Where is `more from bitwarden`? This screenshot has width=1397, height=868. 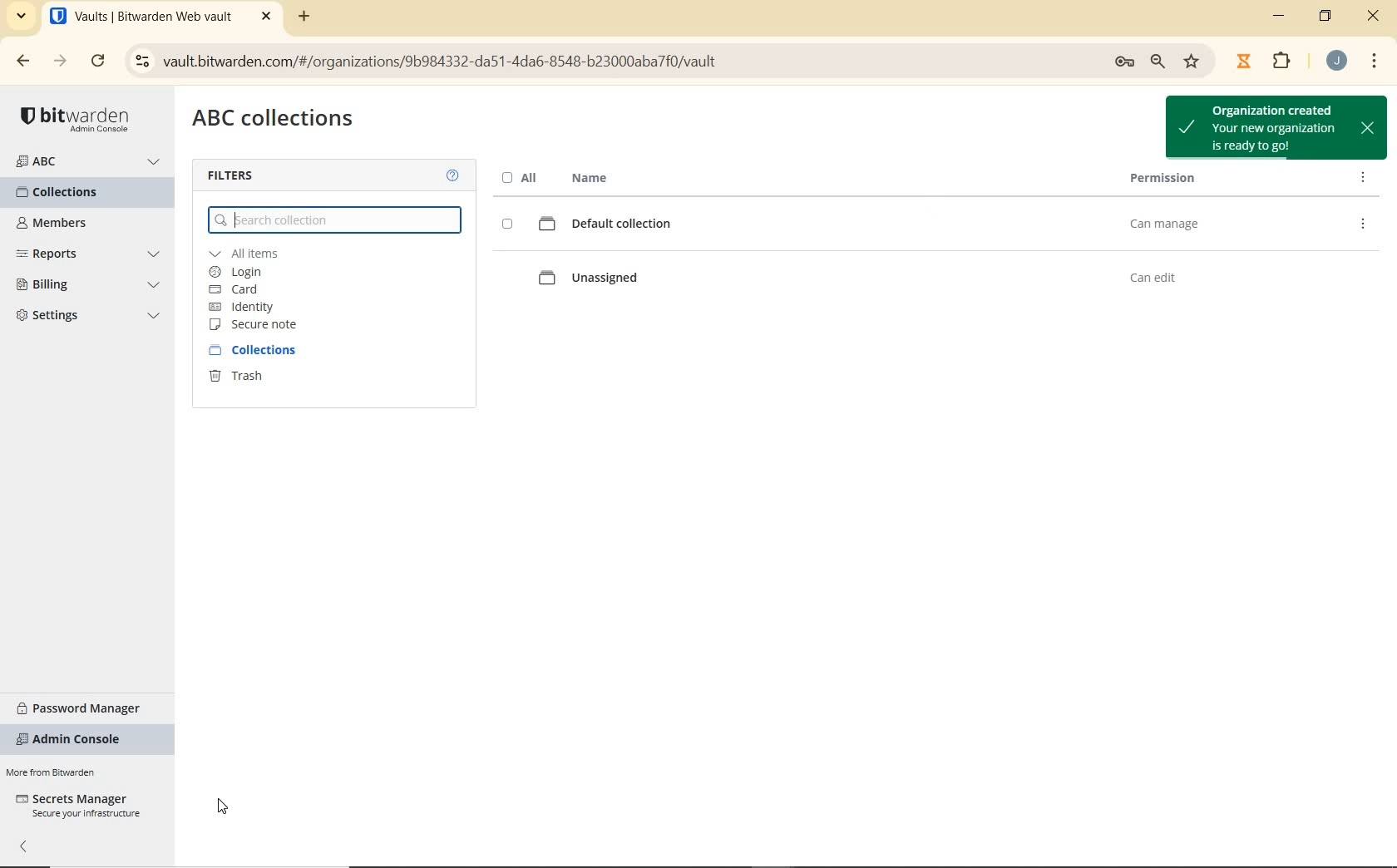
more from bitwarden is located at coordinates (68, 740).